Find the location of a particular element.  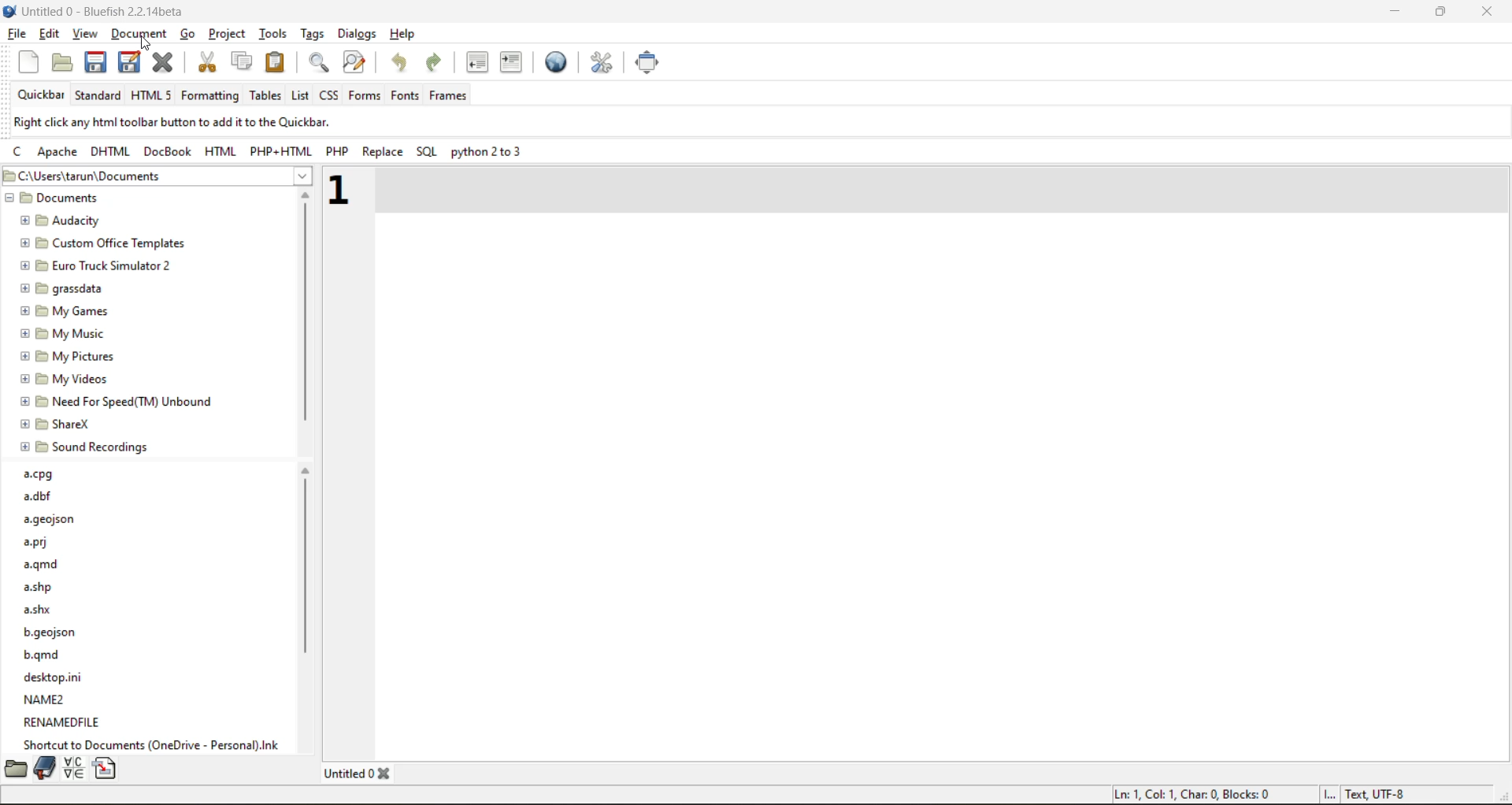

C:\Users\tarun\Documents - file path/location is located at coordinates (99, 176).